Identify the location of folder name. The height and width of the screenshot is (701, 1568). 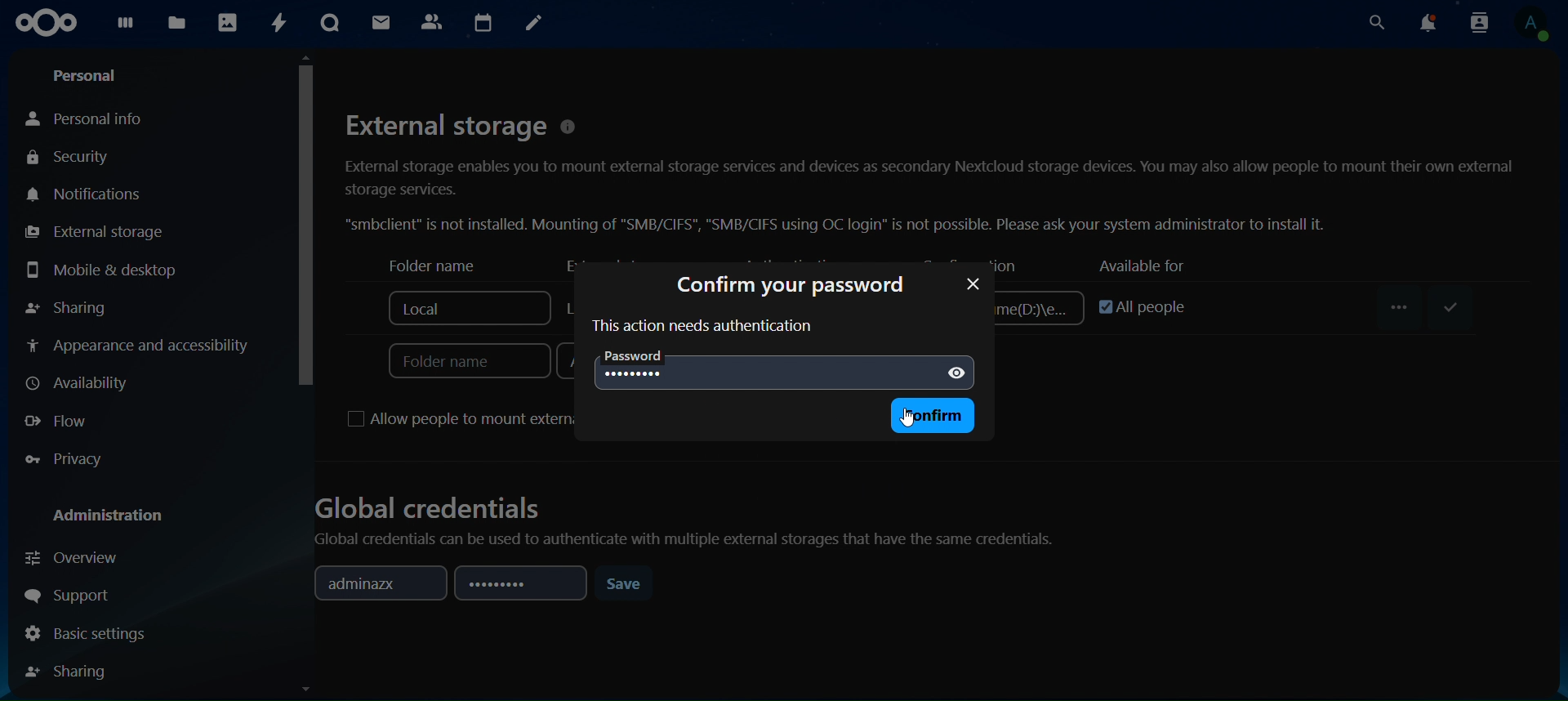
(423, 266).